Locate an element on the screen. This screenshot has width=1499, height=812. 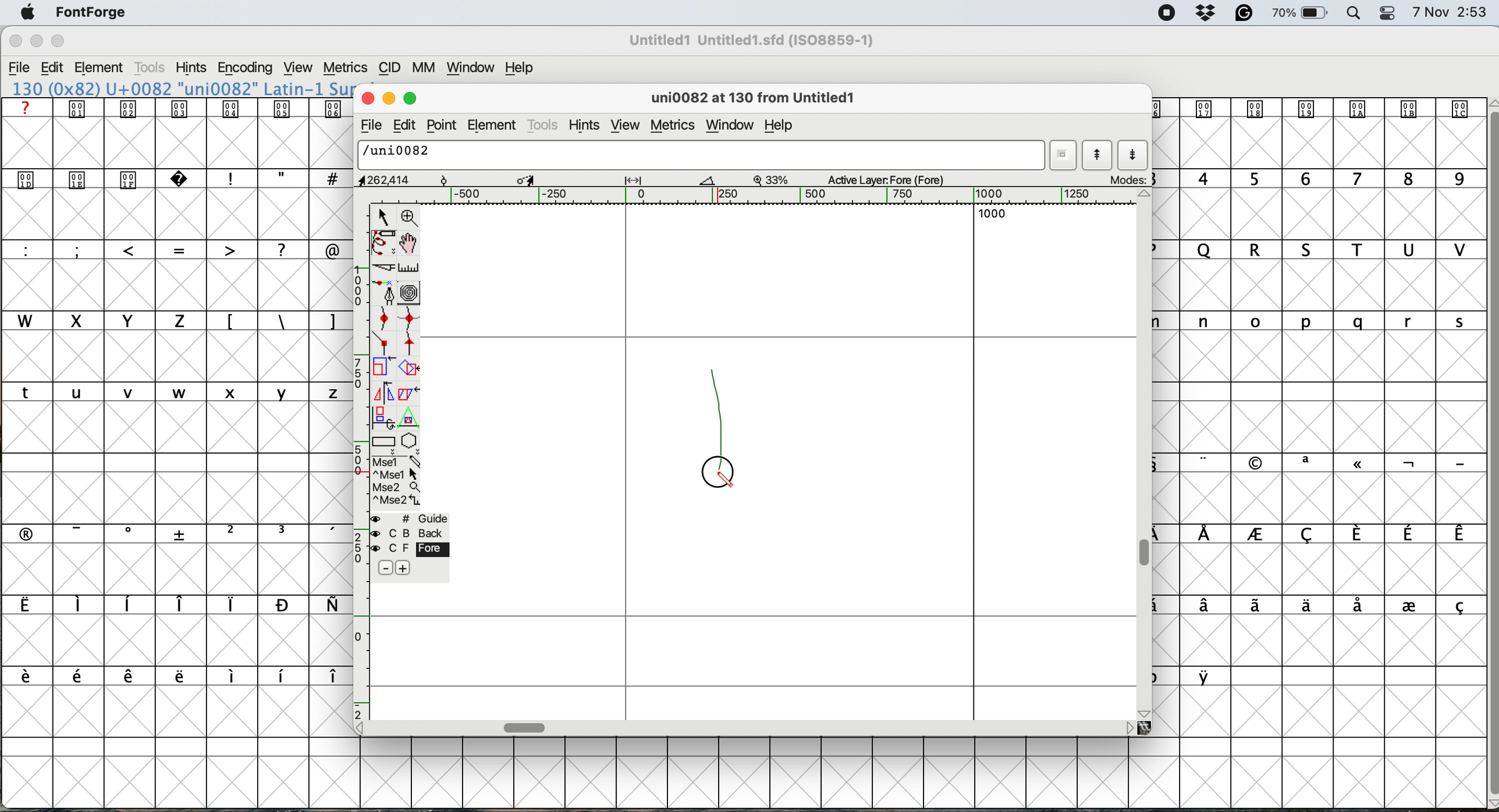
metrics is located at coordinates (347, 66).